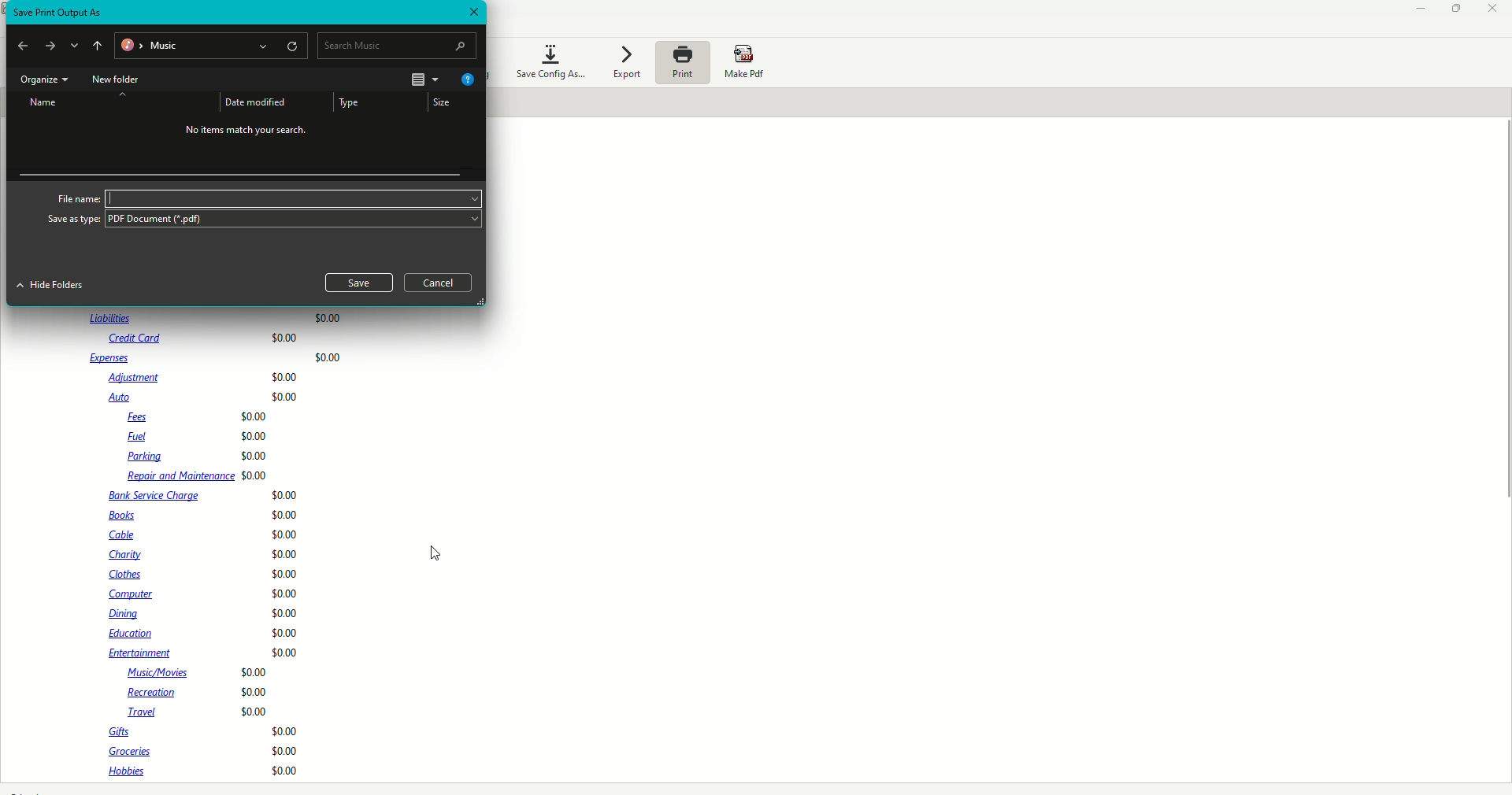 Image resolution: width=1512 pixels, height=795 pixels. Describe the element at coordinates (440, 102) in the screenshot. I see `Size` at that location.